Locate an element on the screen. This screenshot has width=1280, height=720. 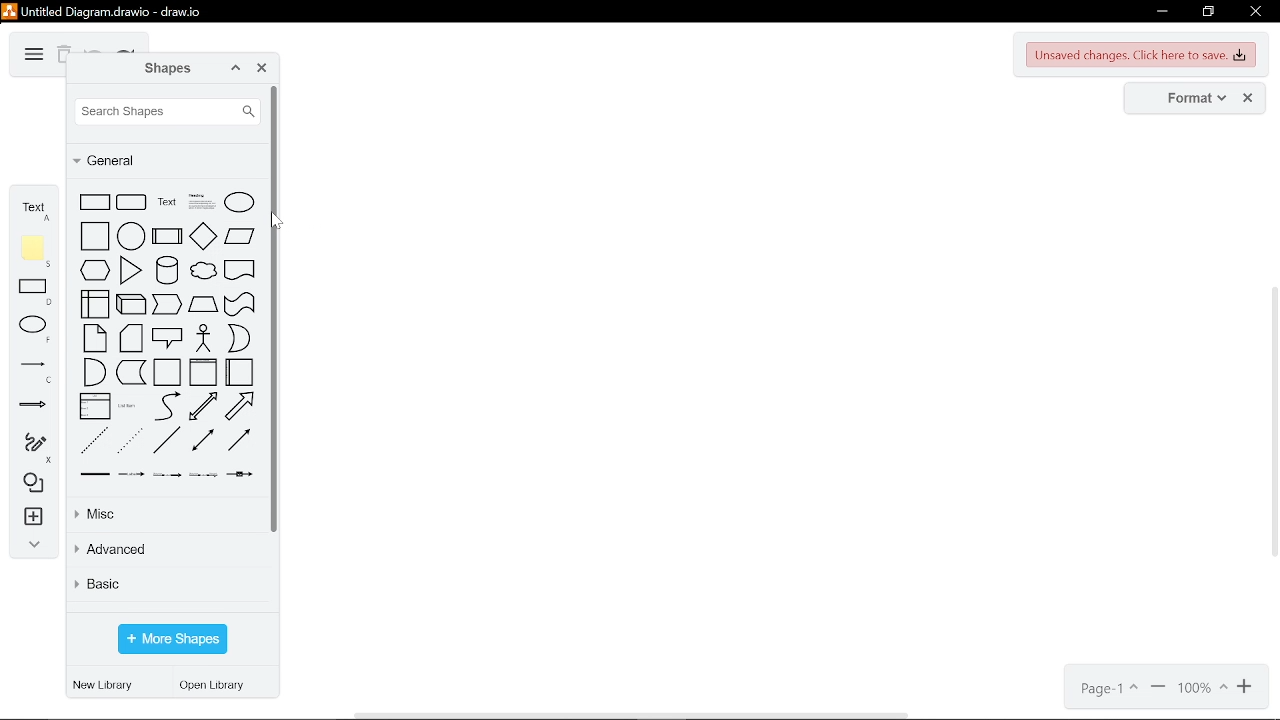
vertical container is located at coordinates (203, 372).